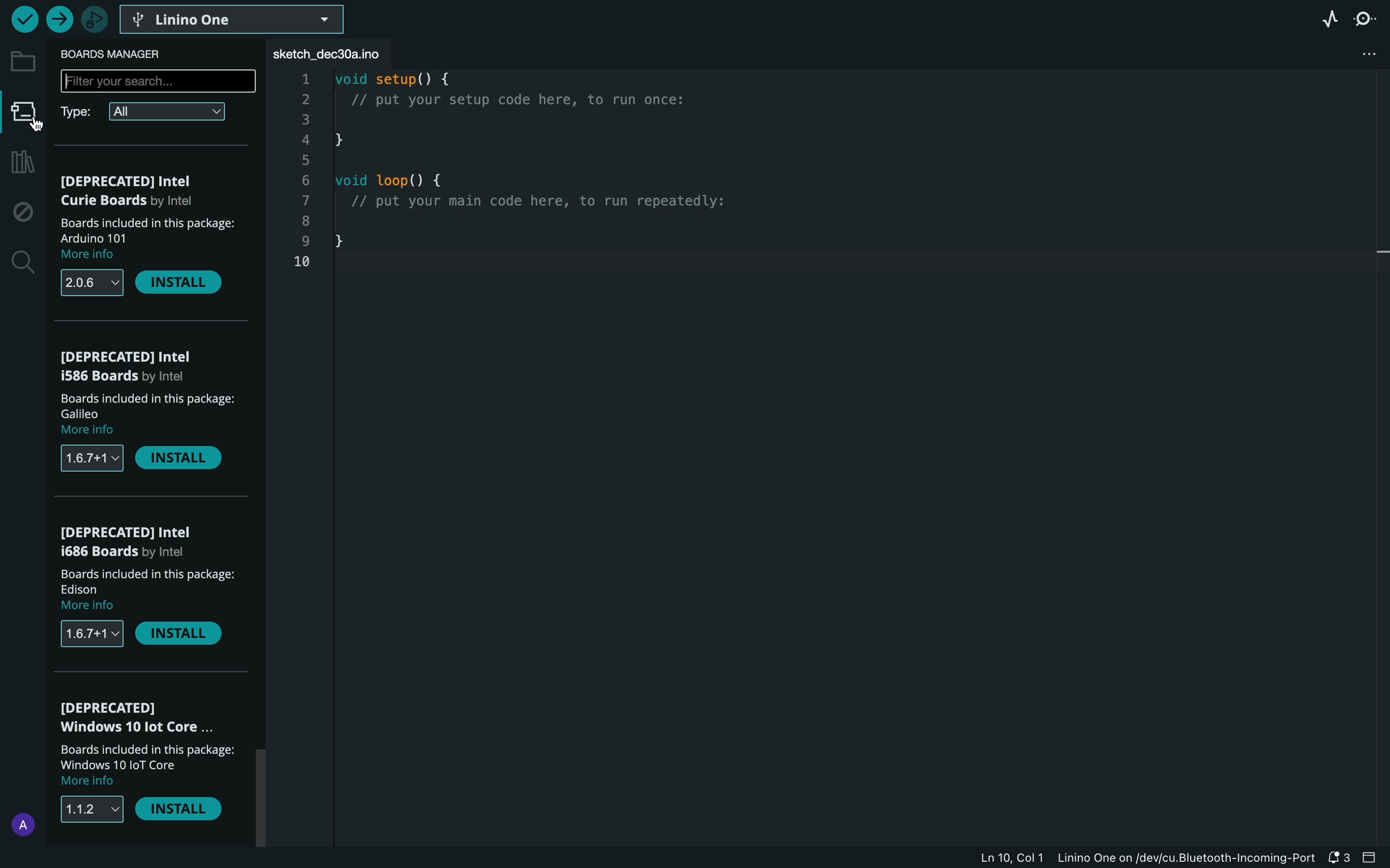 The image size is (1390, 868). I want to click on install, so click(178, 633).